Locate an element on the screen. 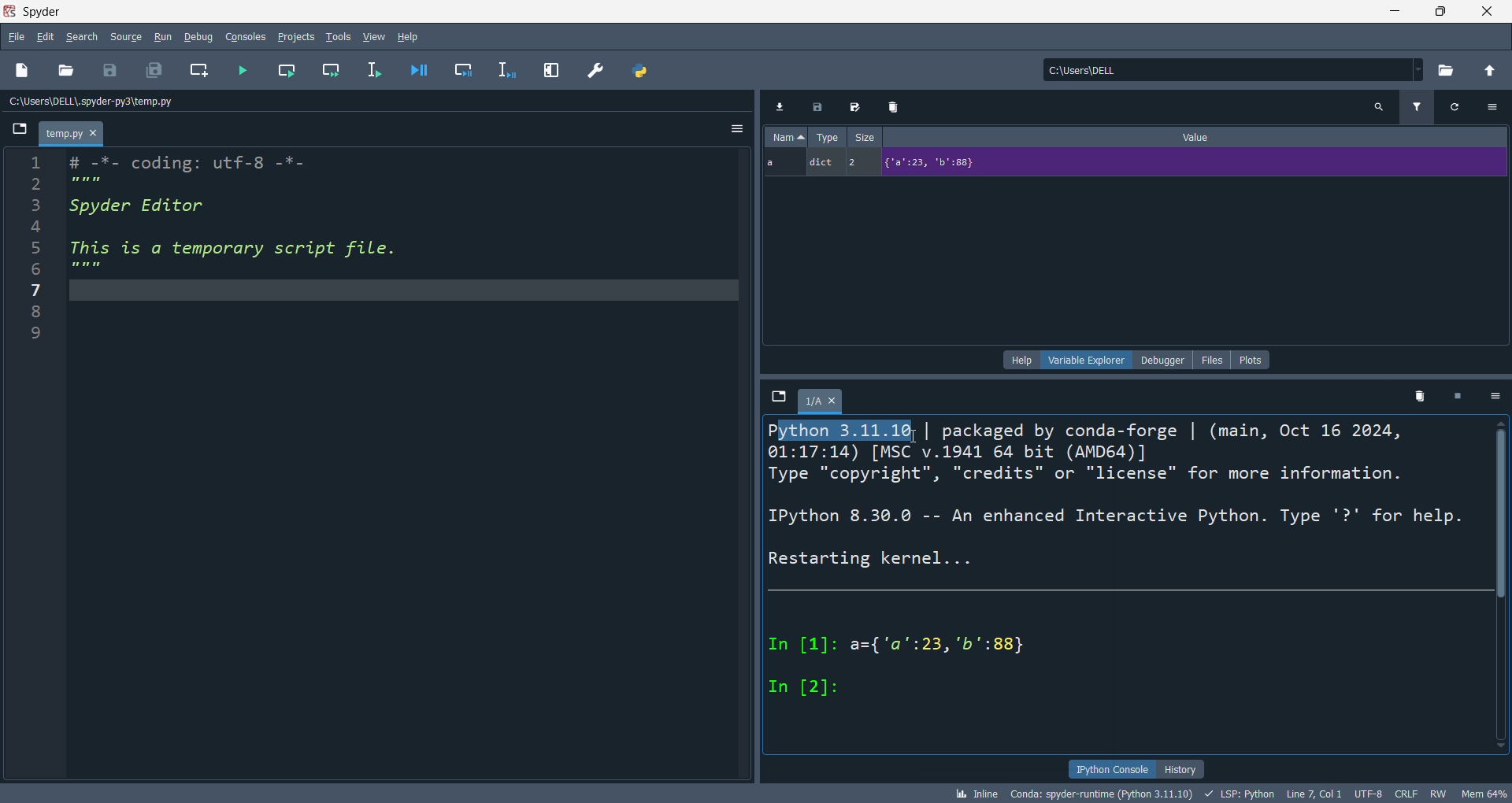 The image size is (1512, 803). CRLF is located at coordinates (1409, 792).